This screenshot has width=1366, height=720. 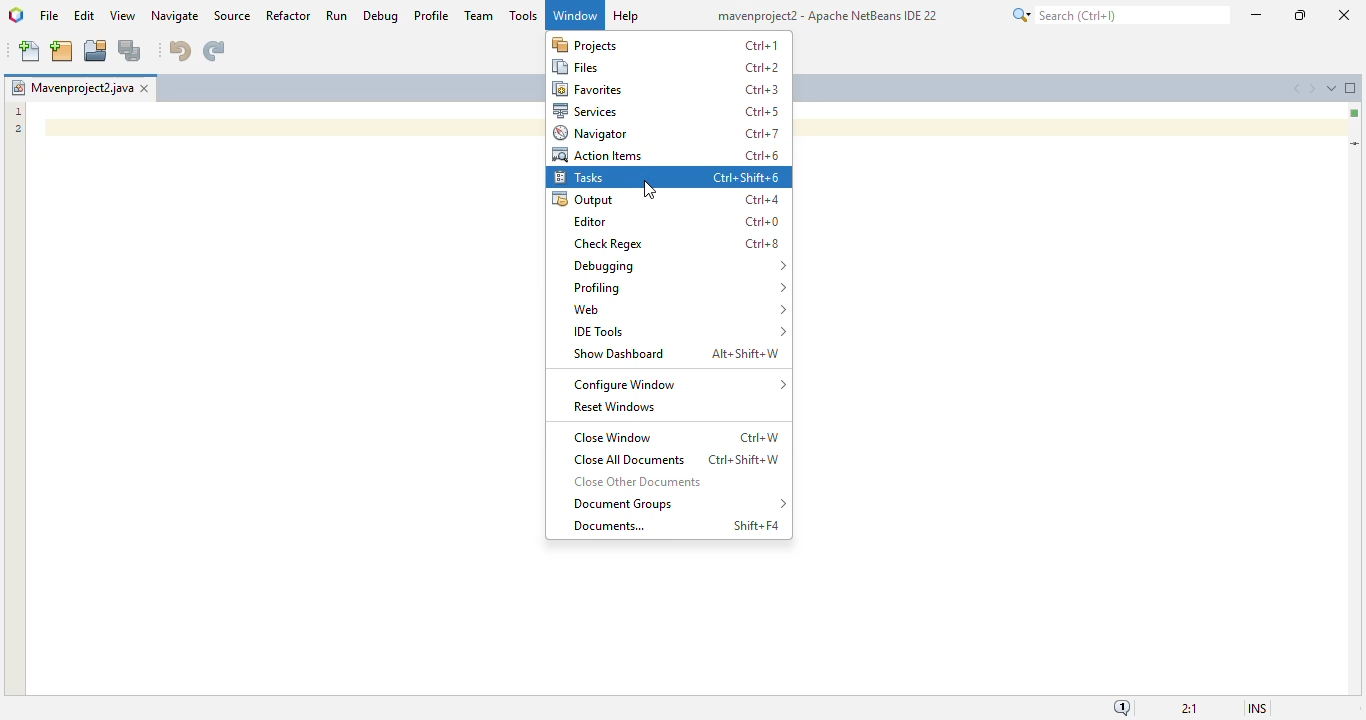 What do you see at coordinates (762, 68) in the screenshot?
I see `shortcut for files` at bounding box center [762, 68].